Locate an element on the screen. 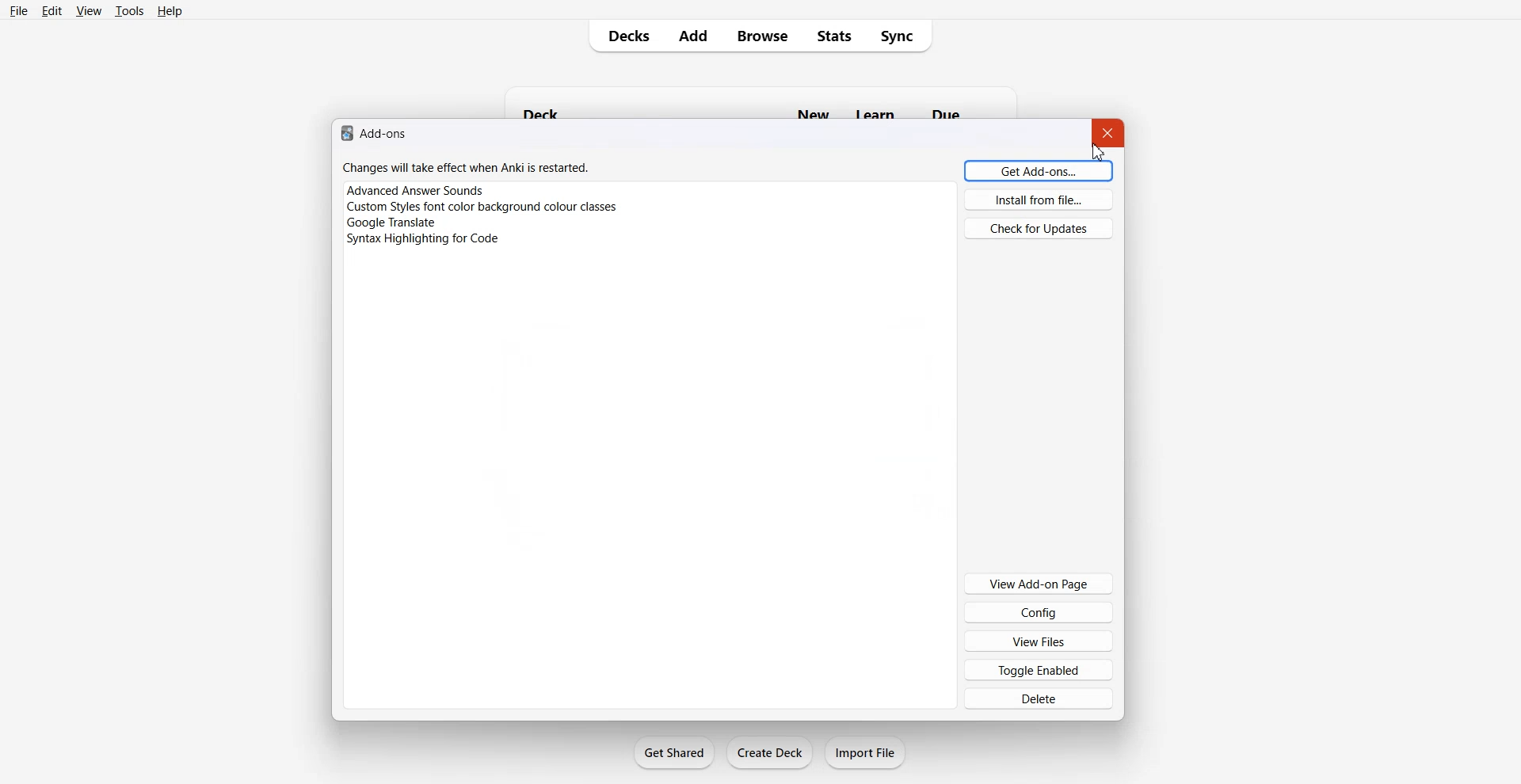  Plugins is located at coordinates (649, 189).